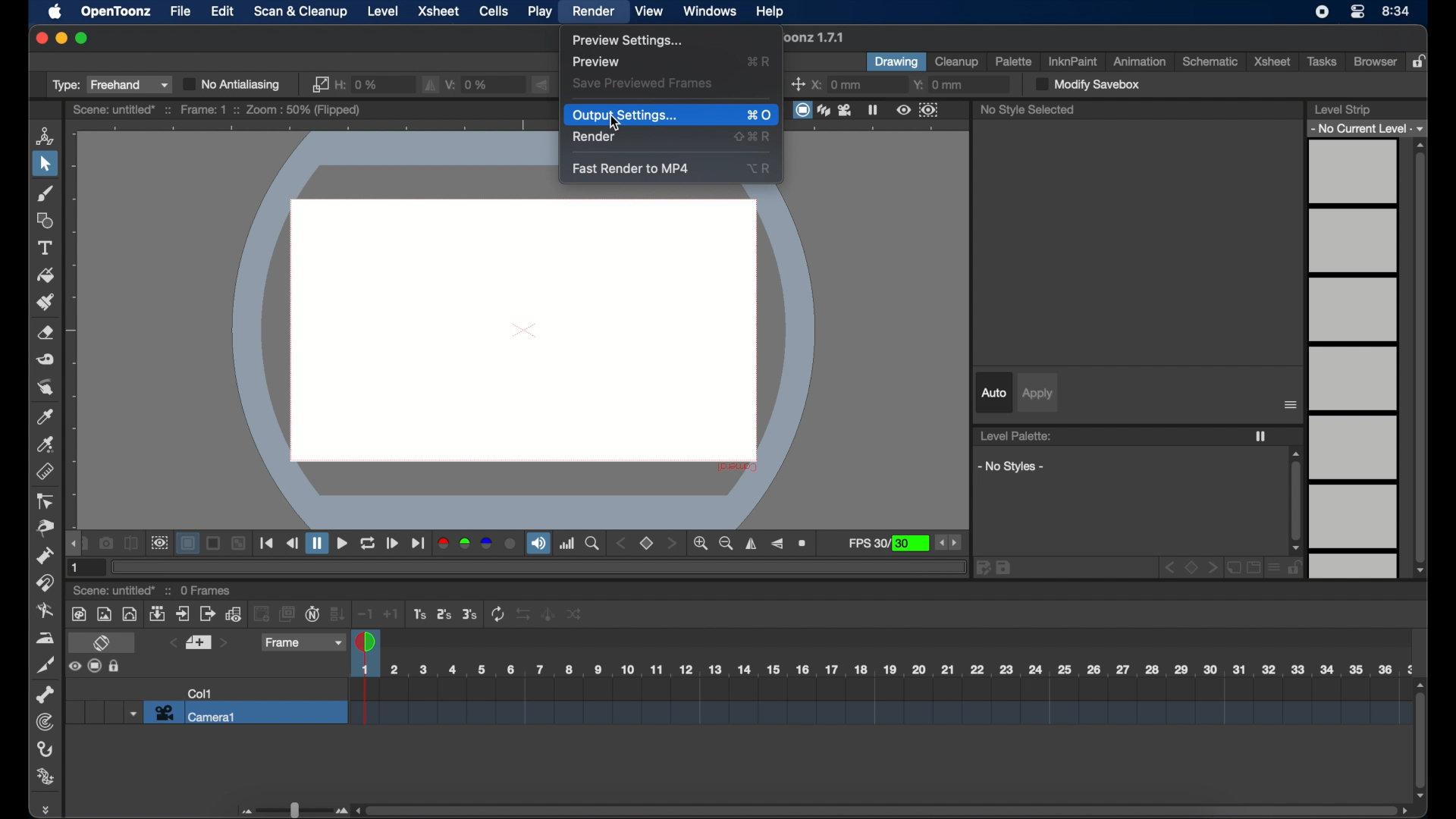  Describe the element at coordinates (318, 544) in the screenshot. I see `` at that location.